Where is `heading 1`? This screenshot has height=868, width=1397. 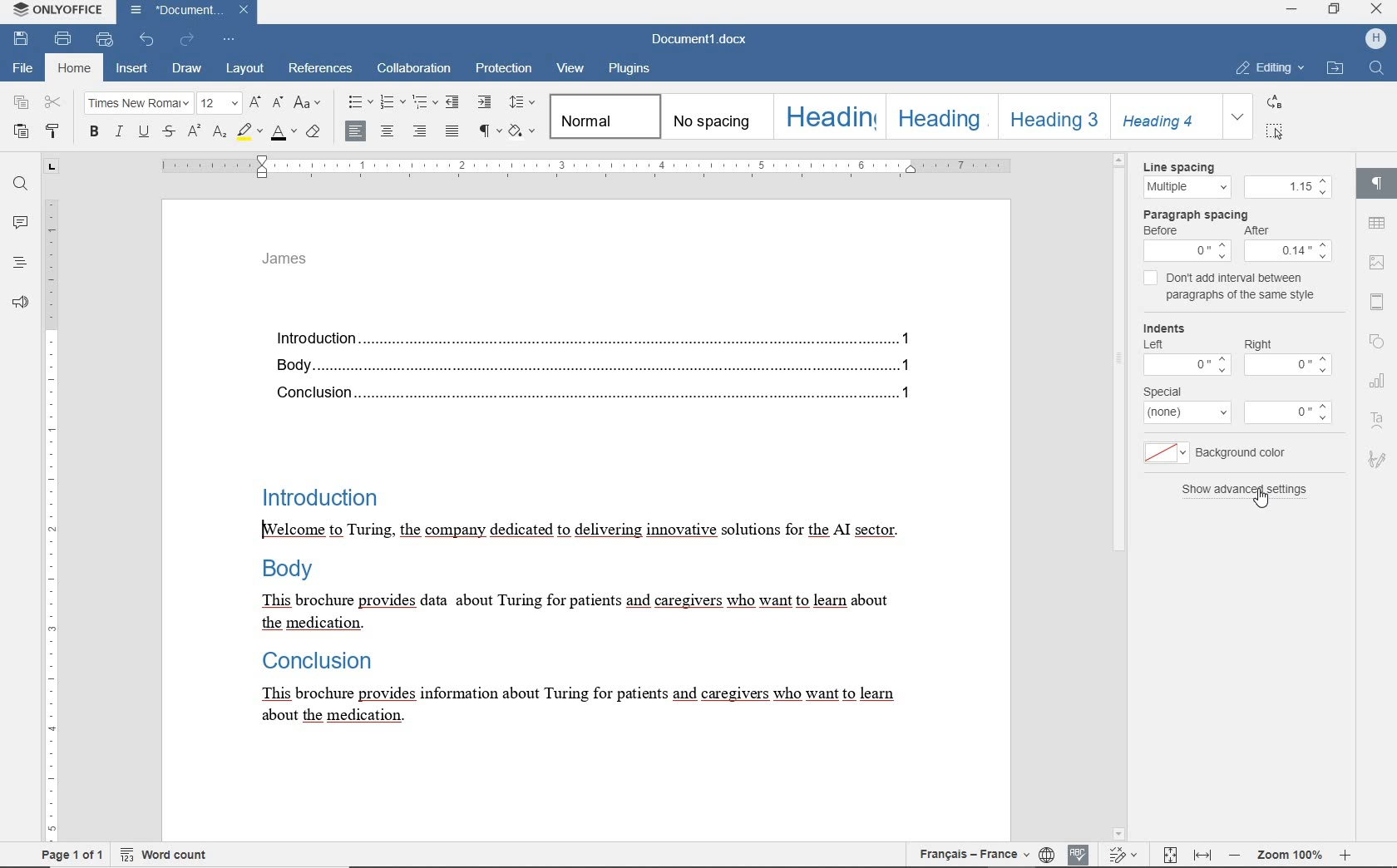 heading 1 is located at coordinates (828, 117).